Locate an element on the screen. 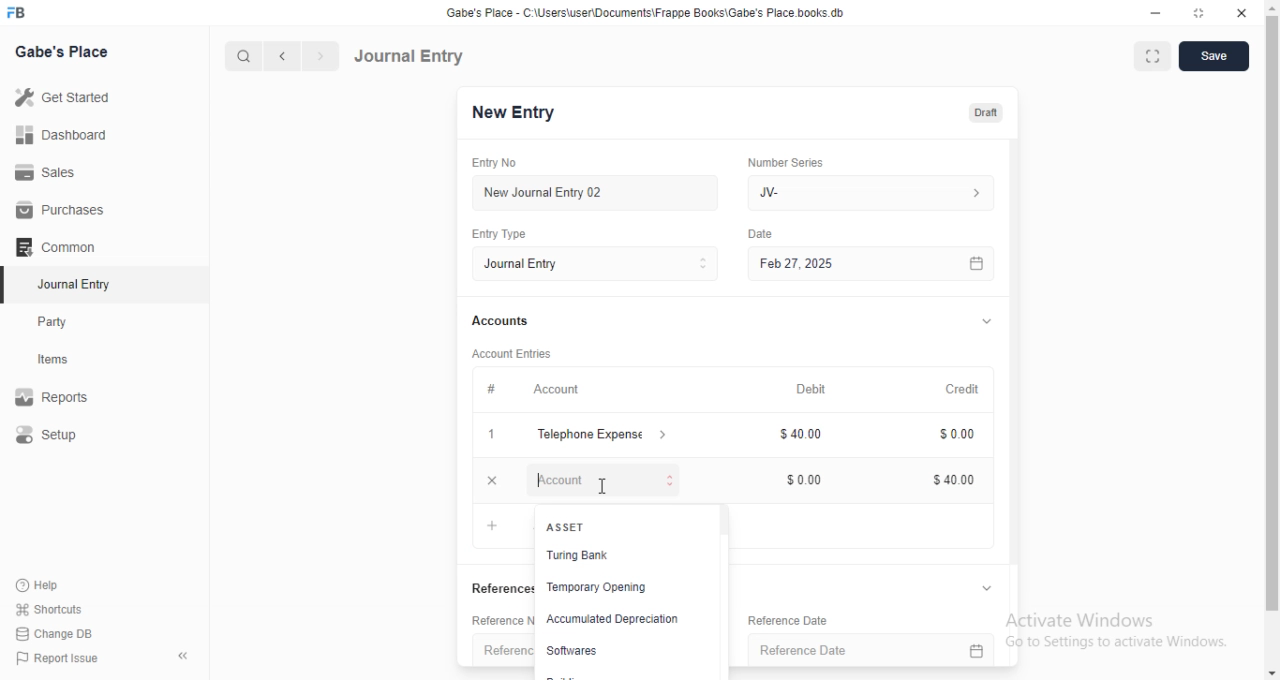  Setup is located at coordinates (49, 434).